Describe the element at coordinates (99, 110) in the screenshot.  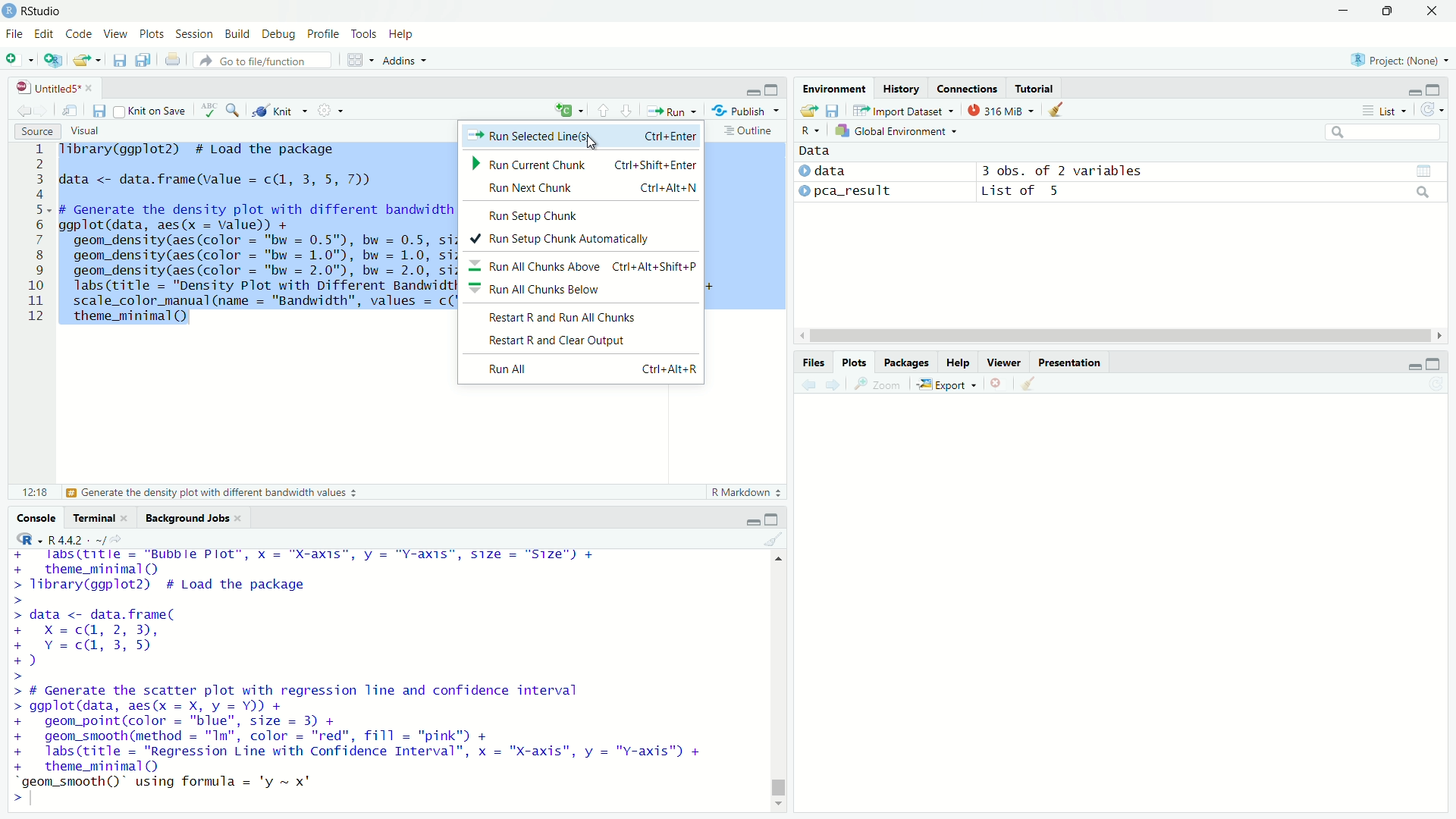
I see `Save current document` at that location.